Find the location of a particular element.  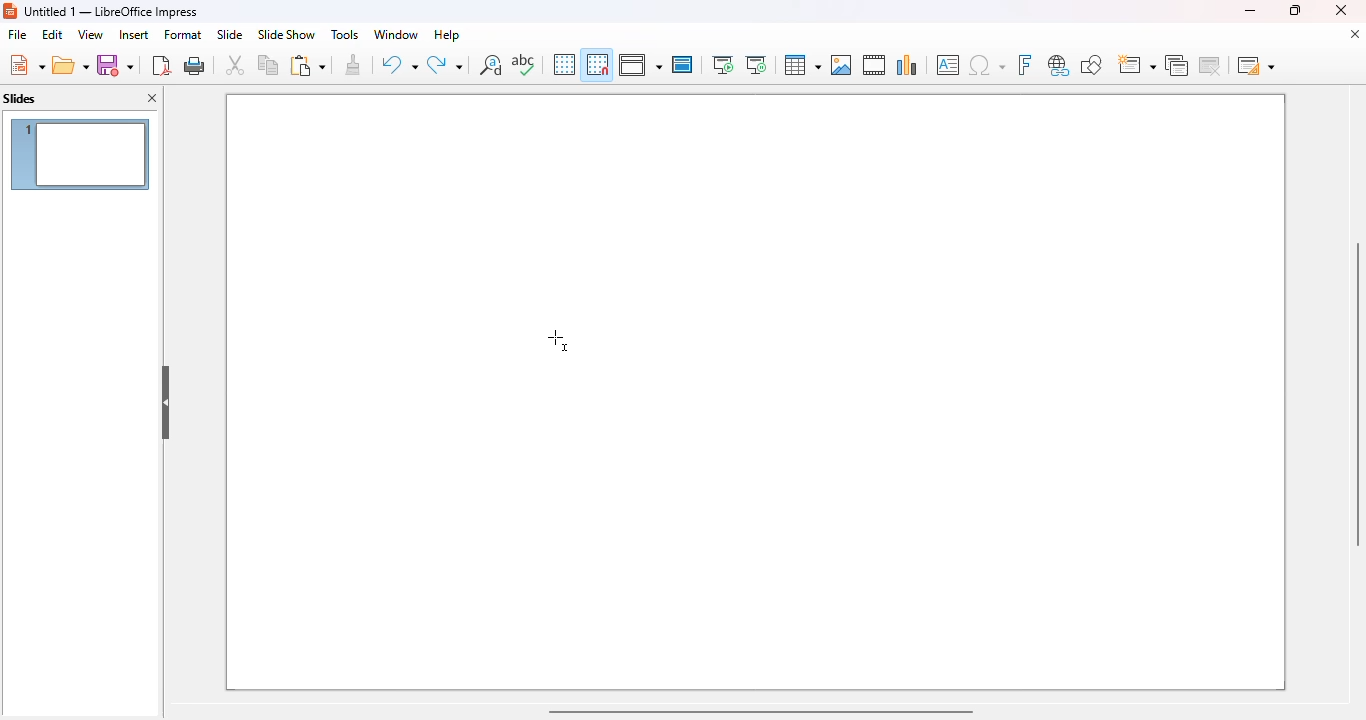

minimize is located at coordinates (1249, 10).